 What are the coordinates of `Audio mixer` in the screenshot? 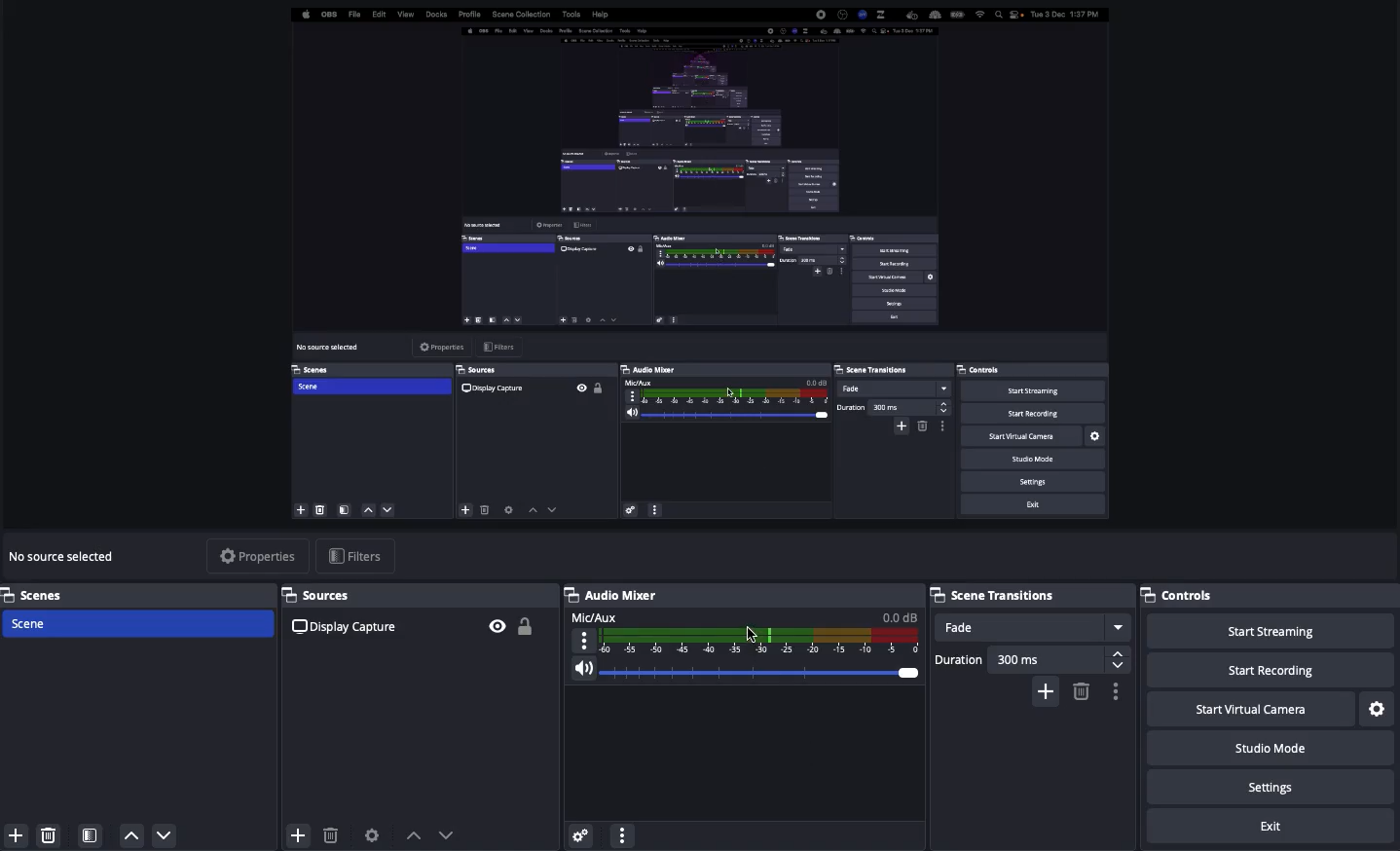 It's located at (617, 595).